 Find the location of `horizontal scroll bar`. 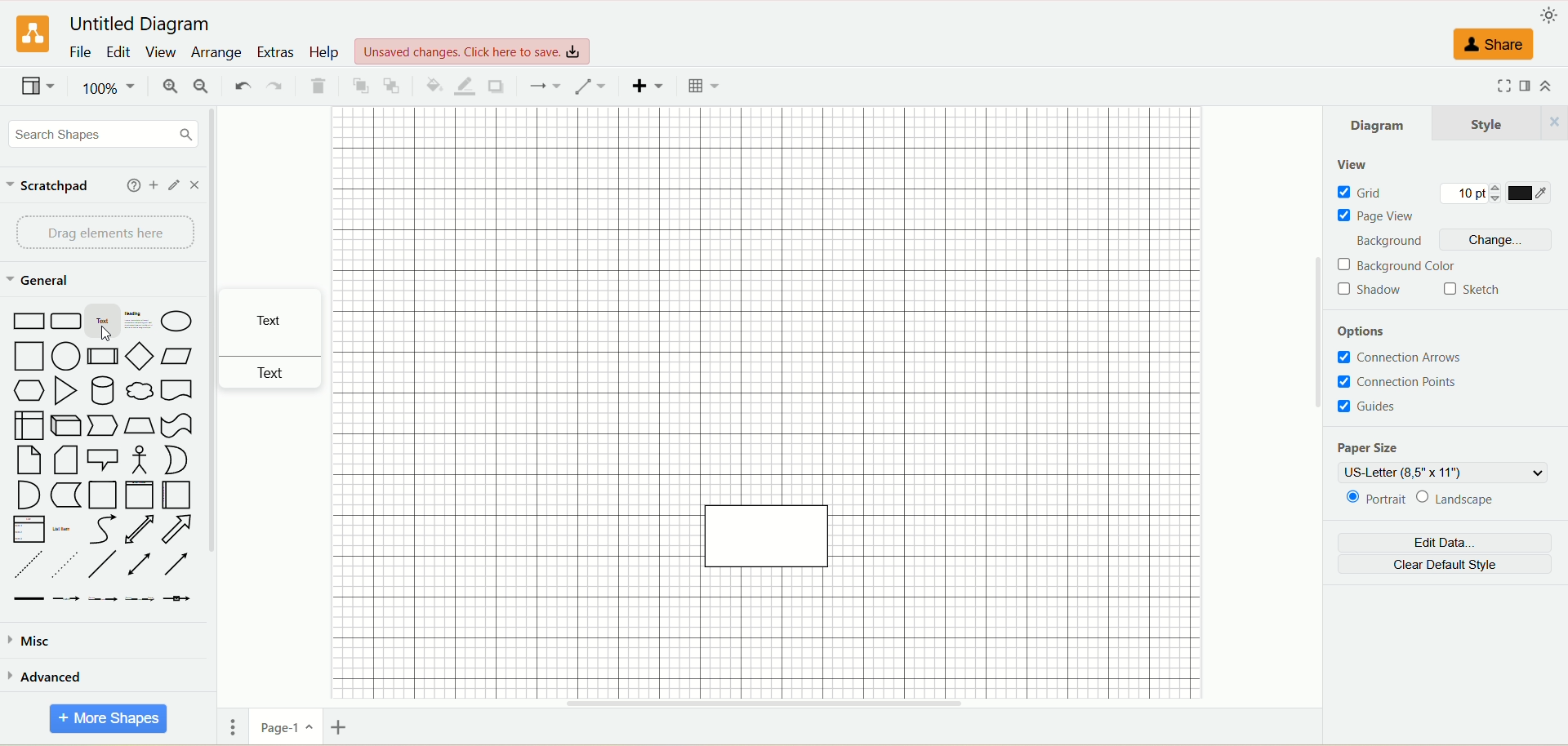

horizontal scroll bar is located at coordinates (770, 701).